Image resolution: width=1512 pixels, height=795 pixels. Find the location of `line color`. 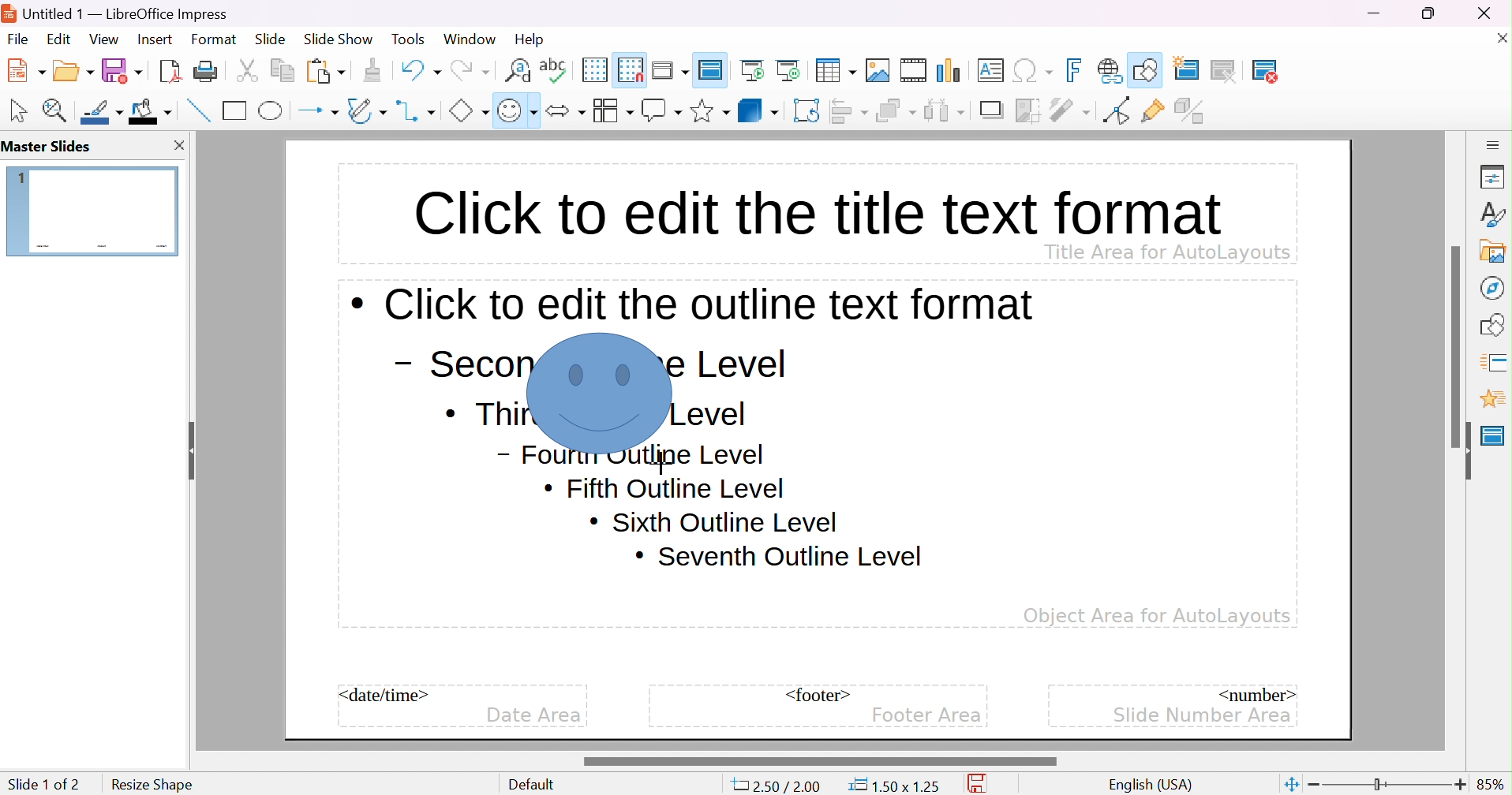

line color is located at coordinates (103, 112).